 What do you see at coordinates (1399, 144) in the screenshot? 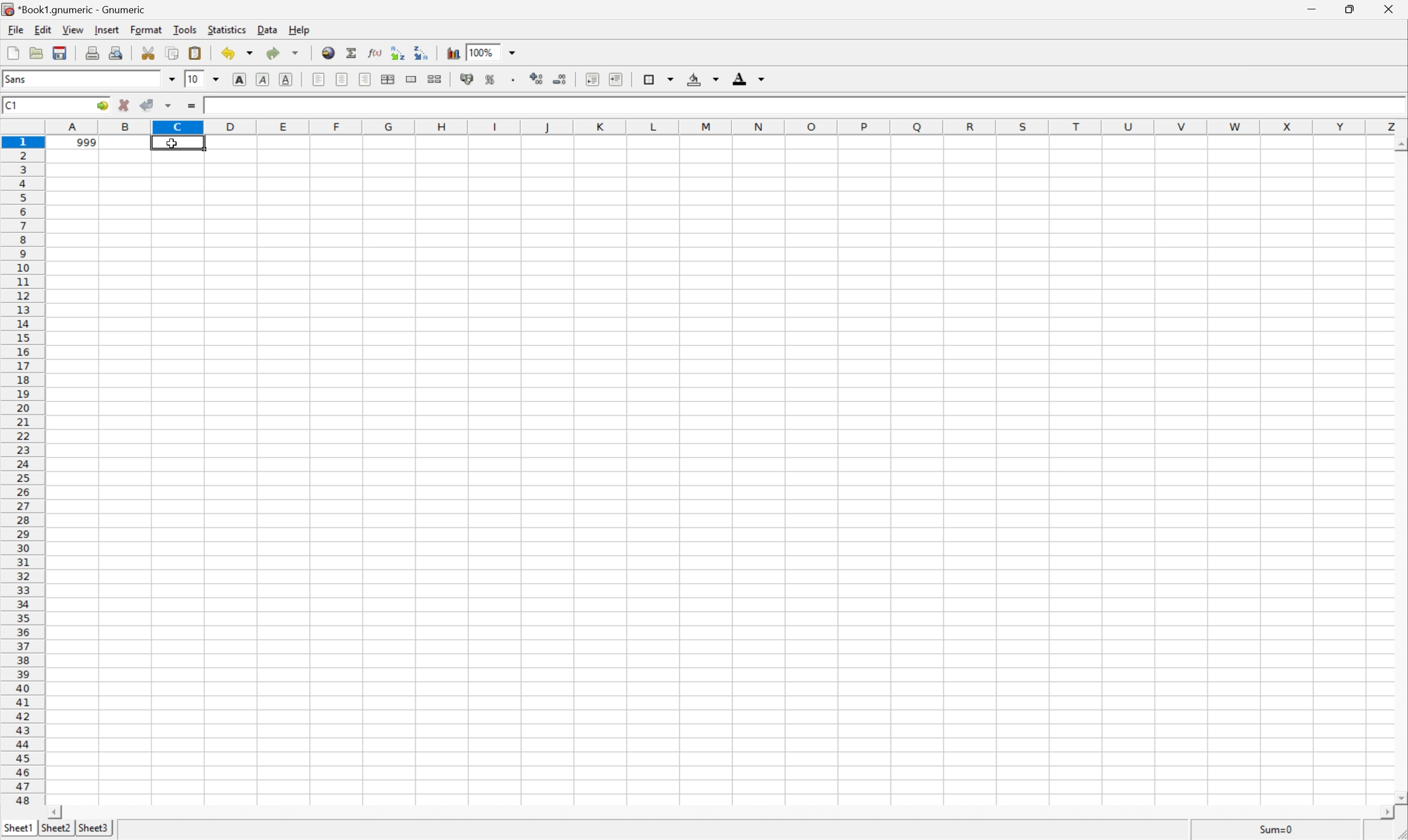
I see `scroll up` at bounding box center [1399, 144].